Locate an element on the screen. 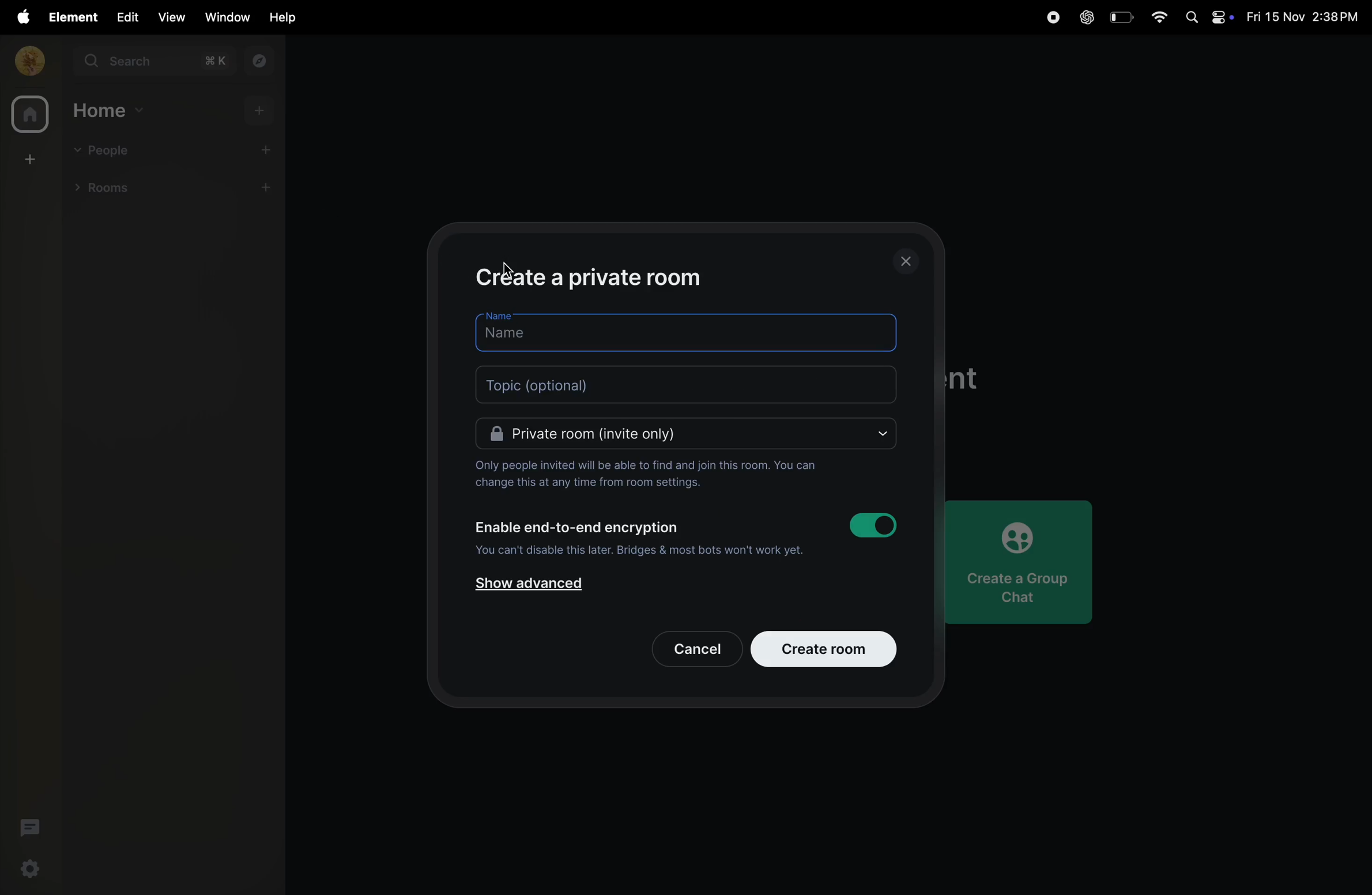 The height and width of the screenshot is (895, 1372). people is located at coordinates (107, 152).